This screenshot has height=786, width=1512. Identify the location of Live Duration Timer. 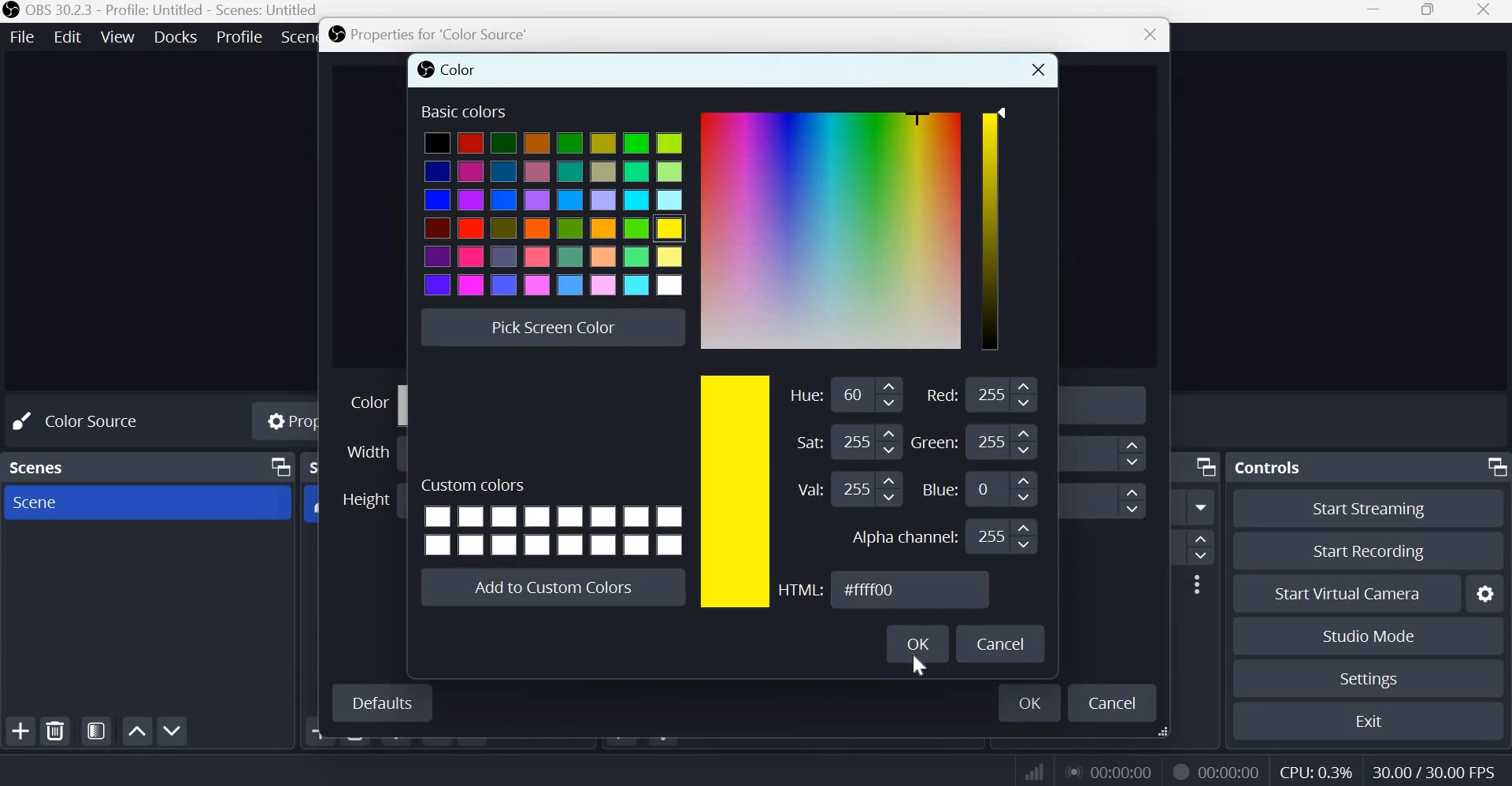
(1180, 770).